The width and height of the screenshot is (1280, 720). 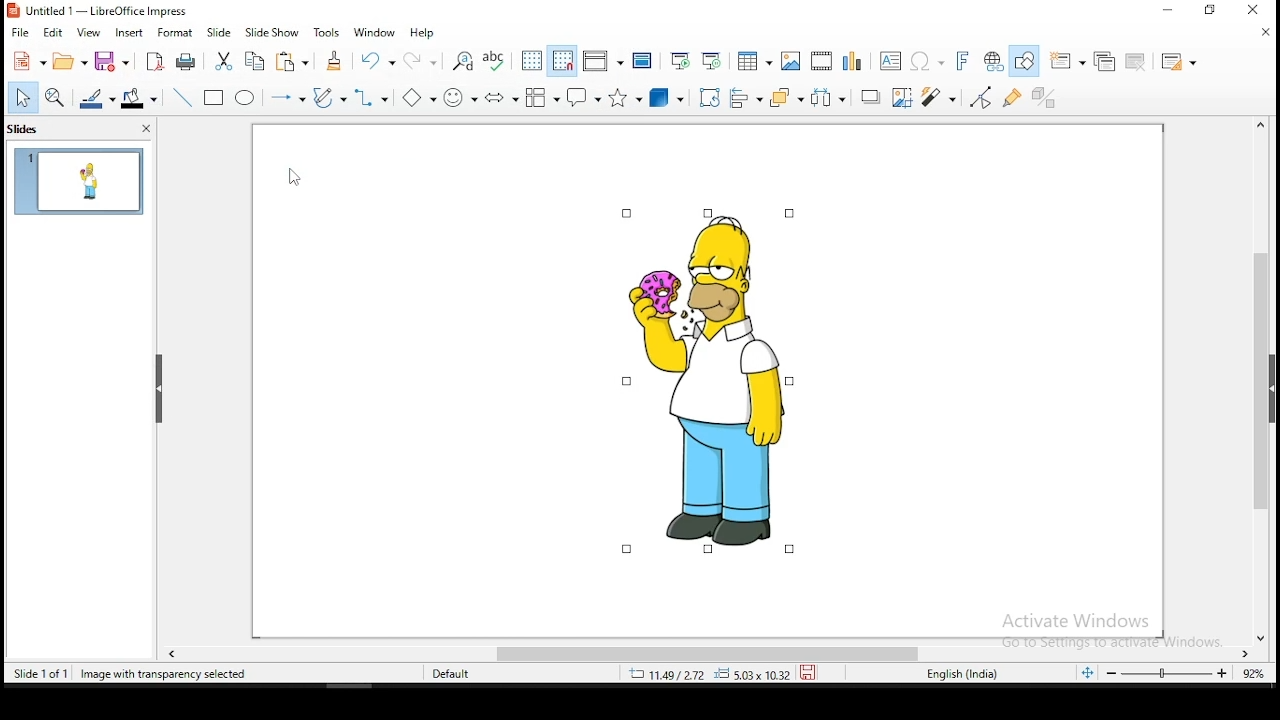 What do you see at coordinates (462, 60) in the screenshot?
I see `find and replace` at bounding box center [462, 60].